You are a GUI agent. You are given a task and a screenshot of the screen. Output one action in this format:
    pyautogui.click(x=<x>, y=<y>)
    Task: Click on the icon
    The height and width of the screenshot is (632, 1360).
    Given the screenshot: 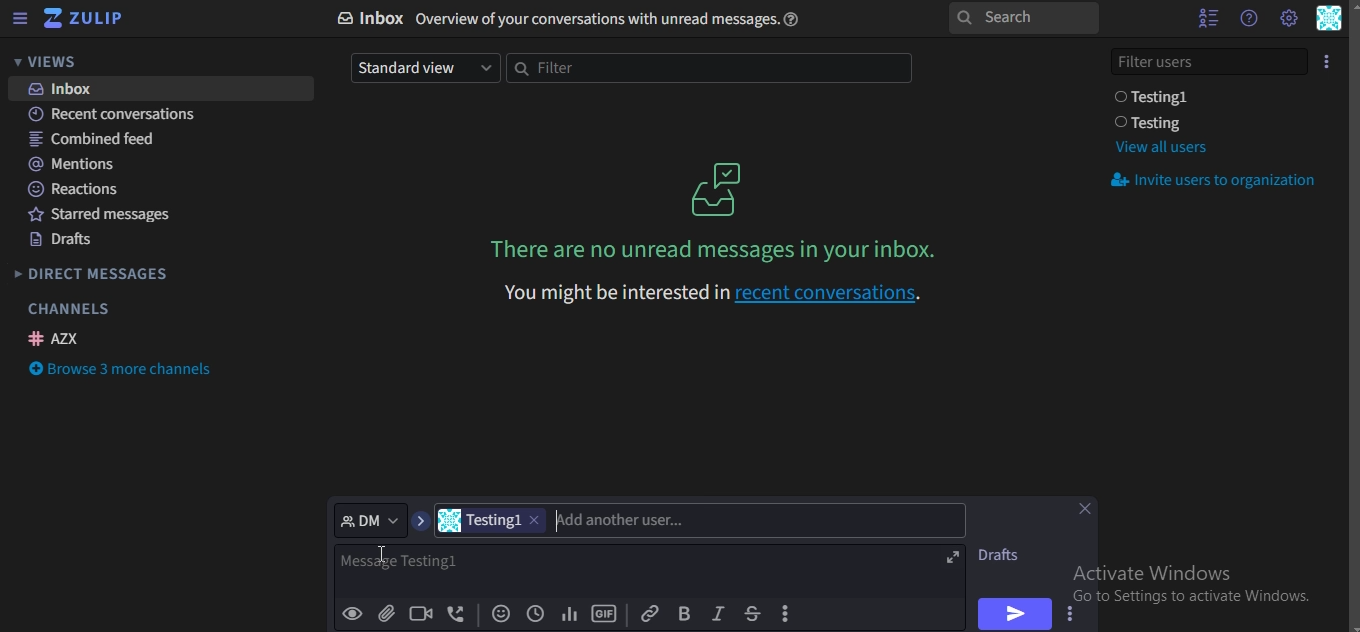 What is the action you would take?
    pyautogui.click(x=85, y=19)
    